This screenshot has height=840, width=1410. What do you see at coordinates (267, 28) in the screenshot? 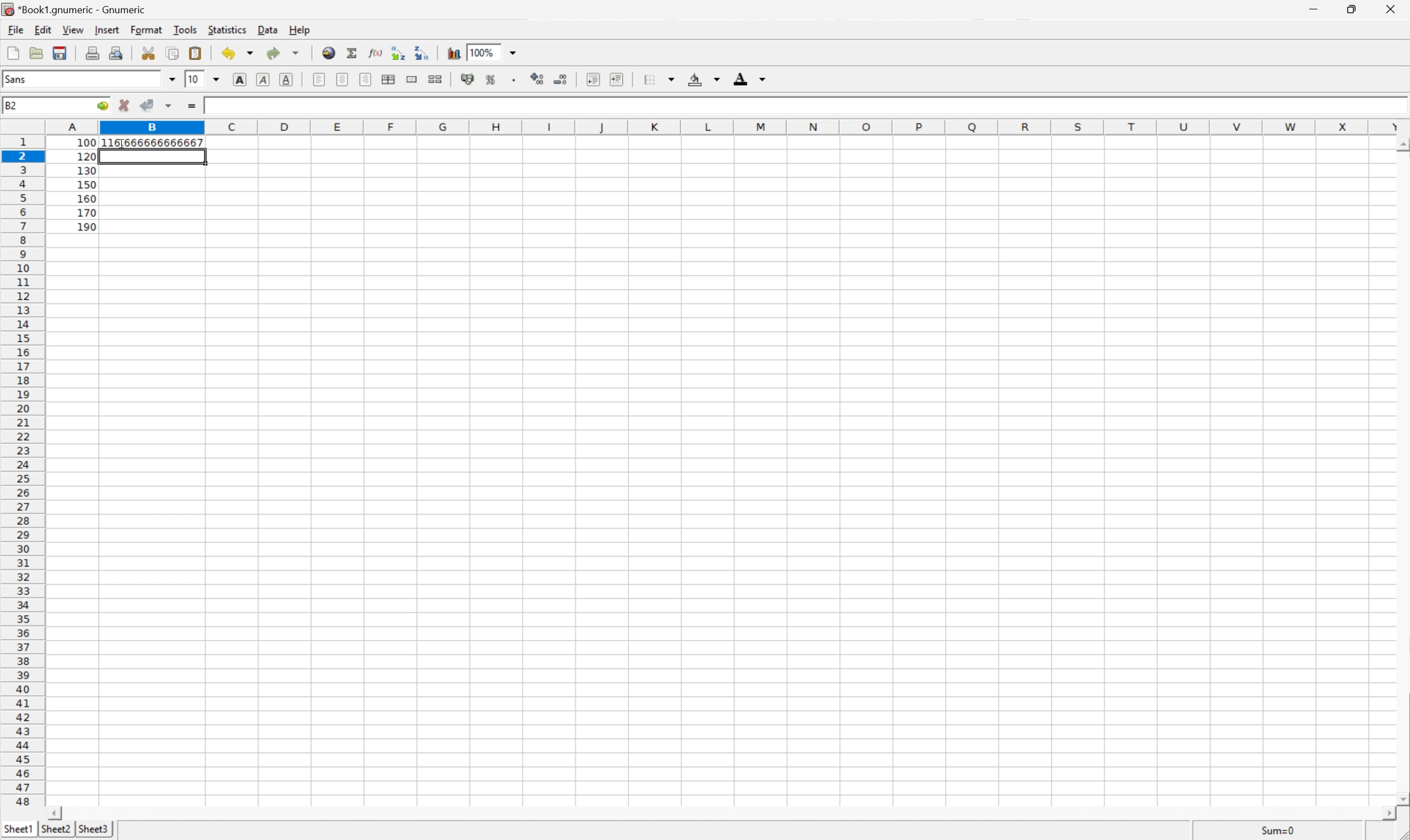
I see `Data` at bounding box center [267, 28].